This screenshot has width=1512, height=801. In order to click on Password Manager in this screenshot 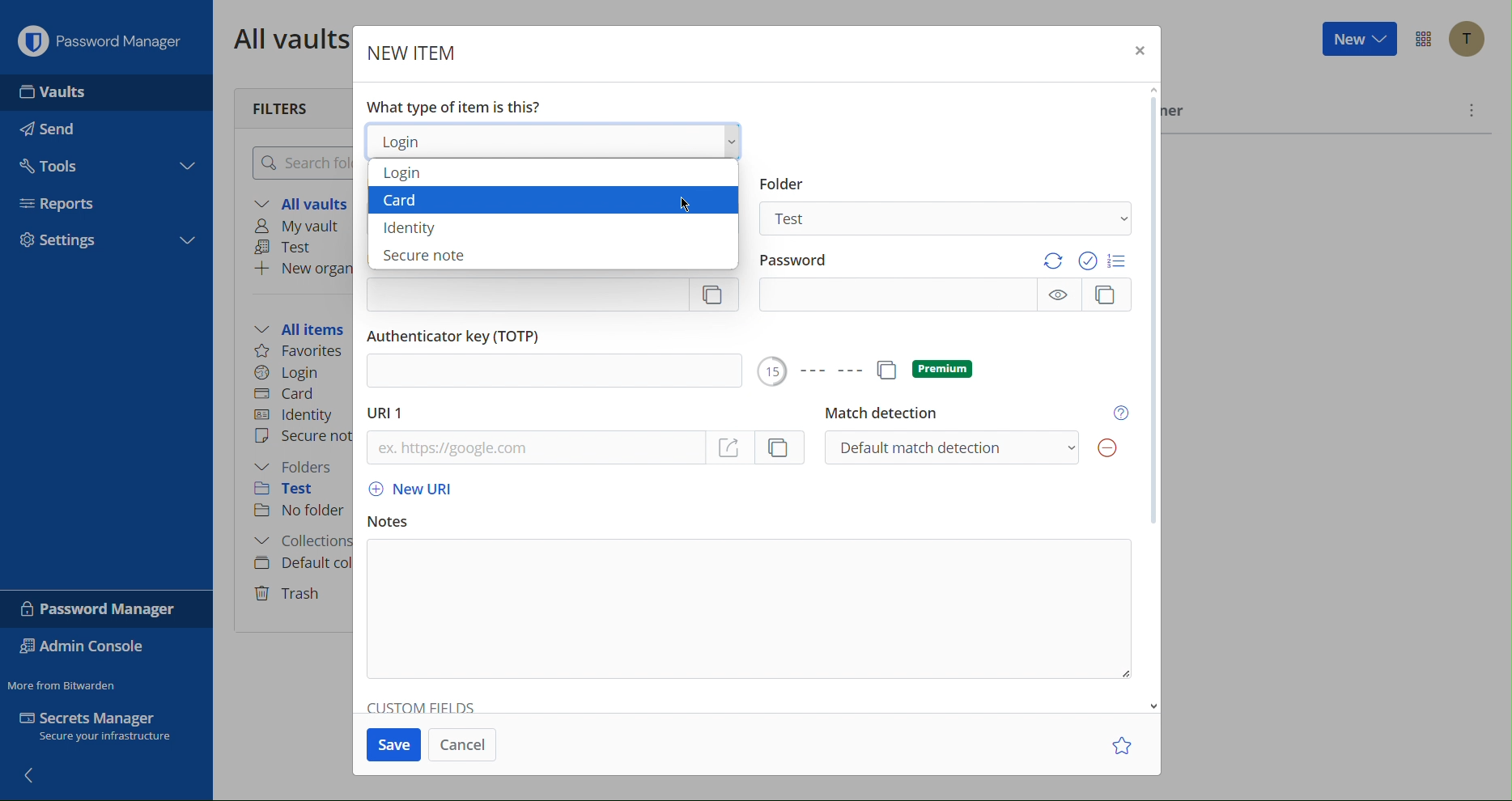, I will do `click(107, 609)`.